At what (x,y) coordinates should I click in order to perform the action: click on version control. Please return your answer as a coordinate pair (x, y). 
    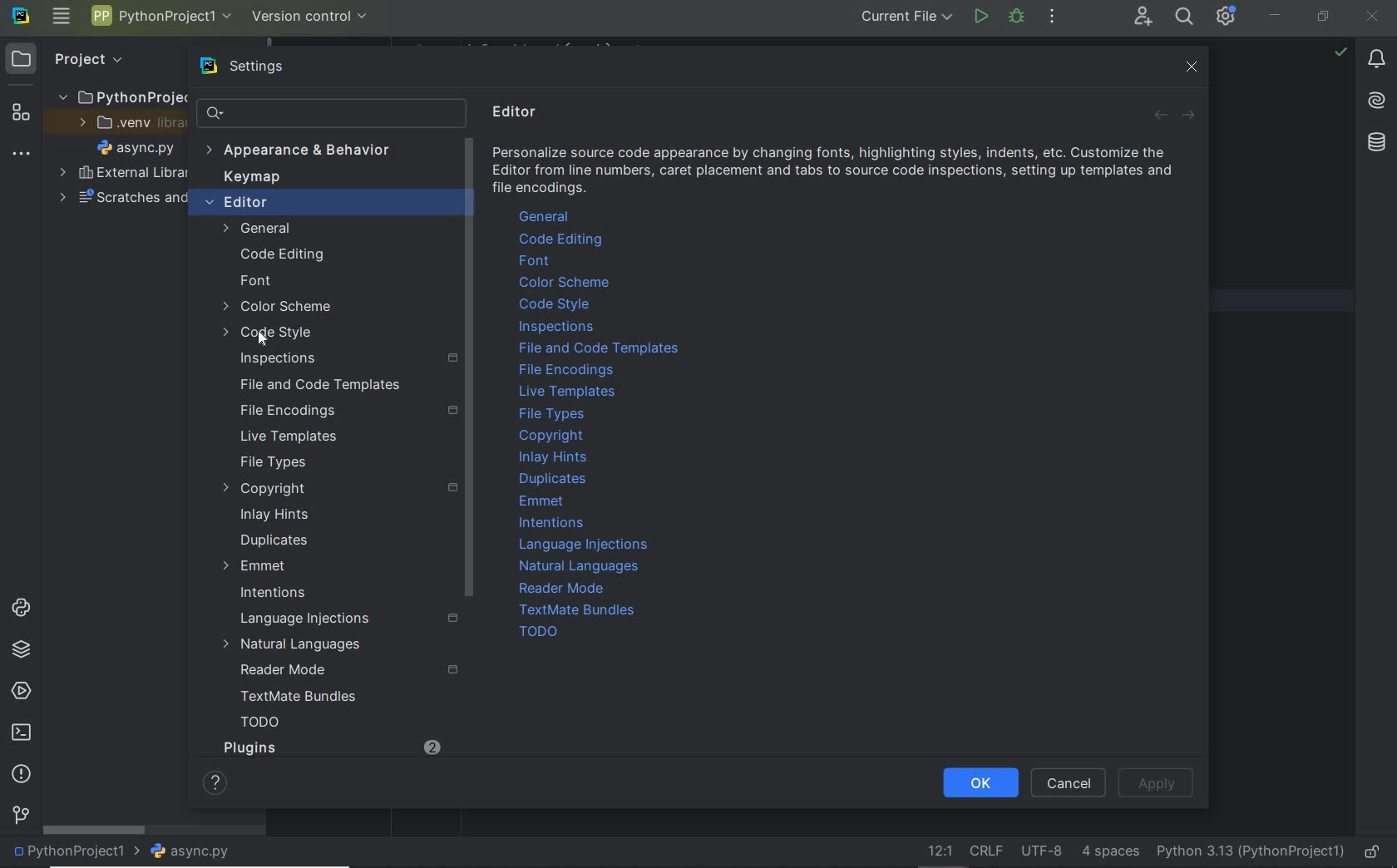
    Looking at the image, I should click on (20, 816).